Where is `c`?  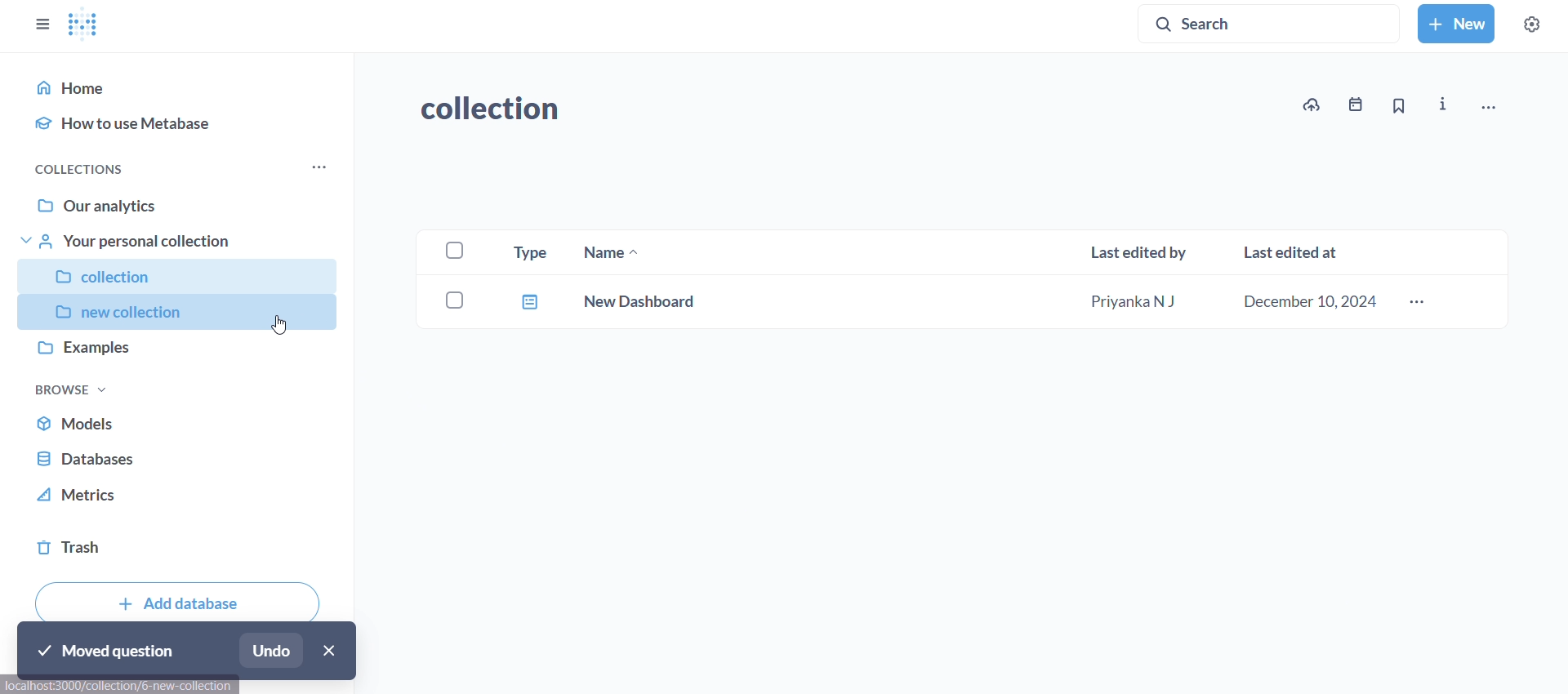 c is located at coordinates (454, 297).